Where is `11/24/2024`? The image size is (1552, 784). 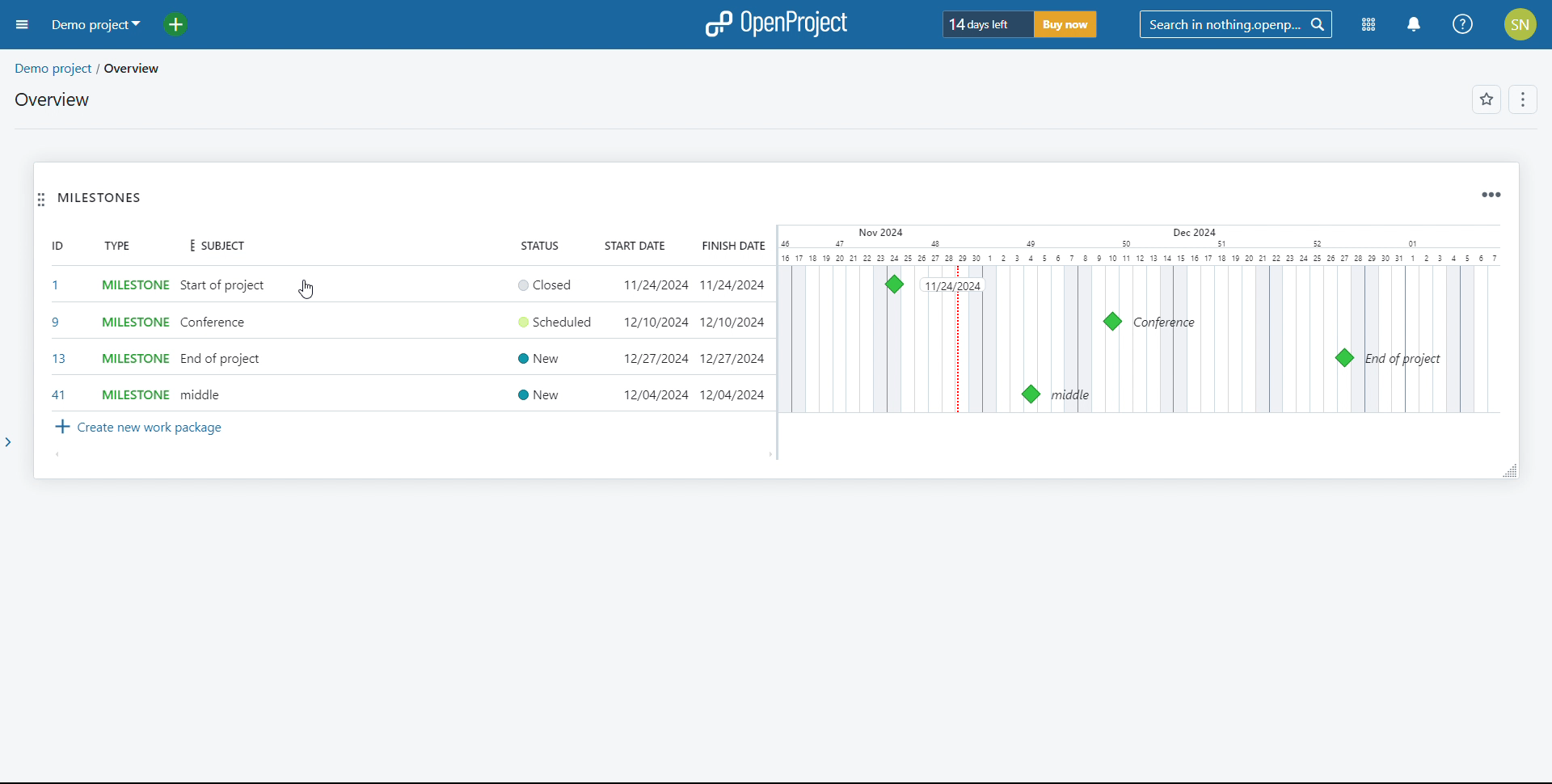
11/24/2024 is located at coordinates (655, 282).